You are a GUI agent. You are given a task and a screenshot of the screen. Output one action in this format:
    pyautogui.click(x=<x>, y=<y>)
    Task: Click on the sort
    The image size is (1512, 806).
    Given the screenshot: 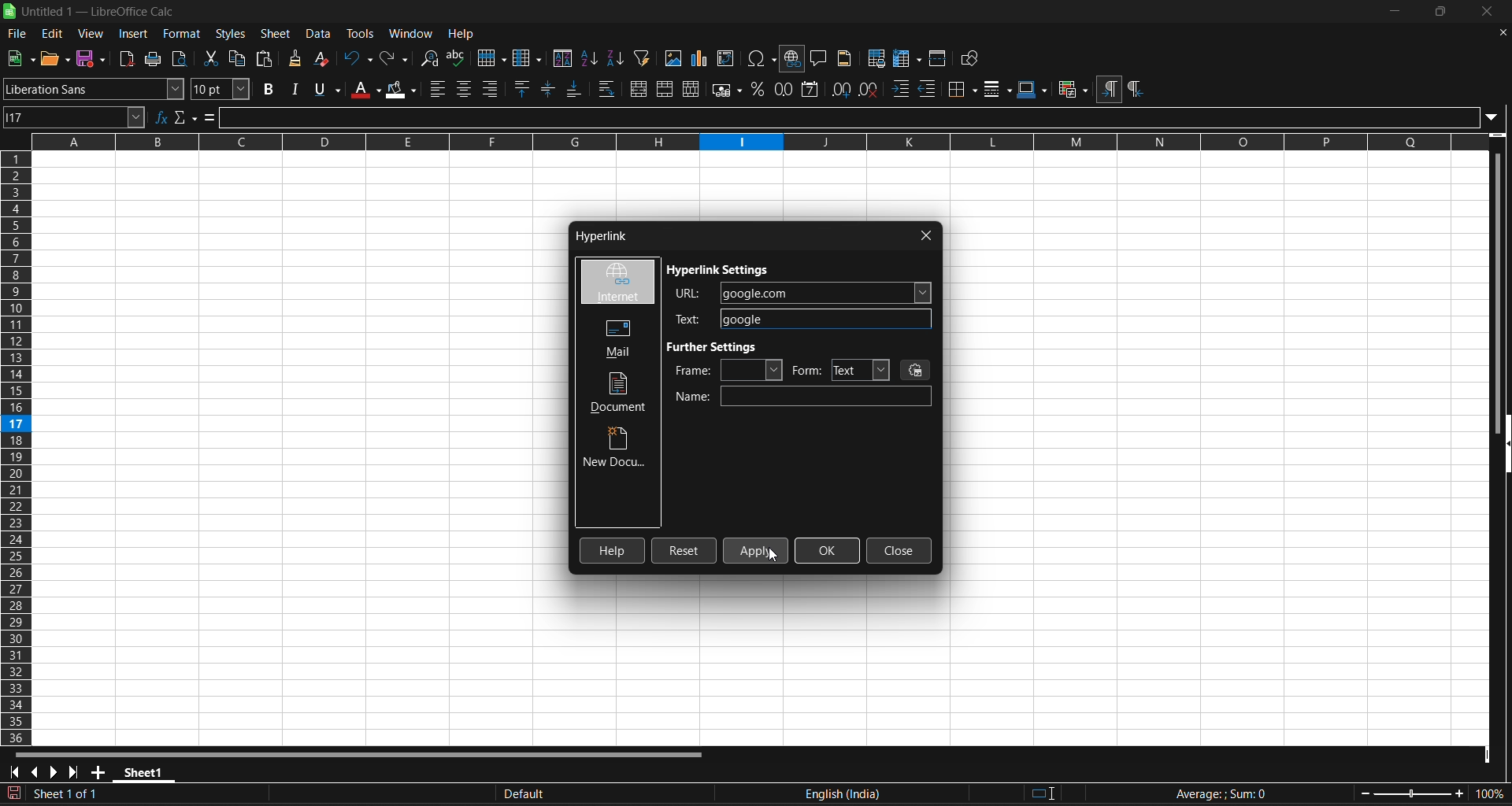 What is the action you would take?
    pyautogui.click(x=563, y=57)
    